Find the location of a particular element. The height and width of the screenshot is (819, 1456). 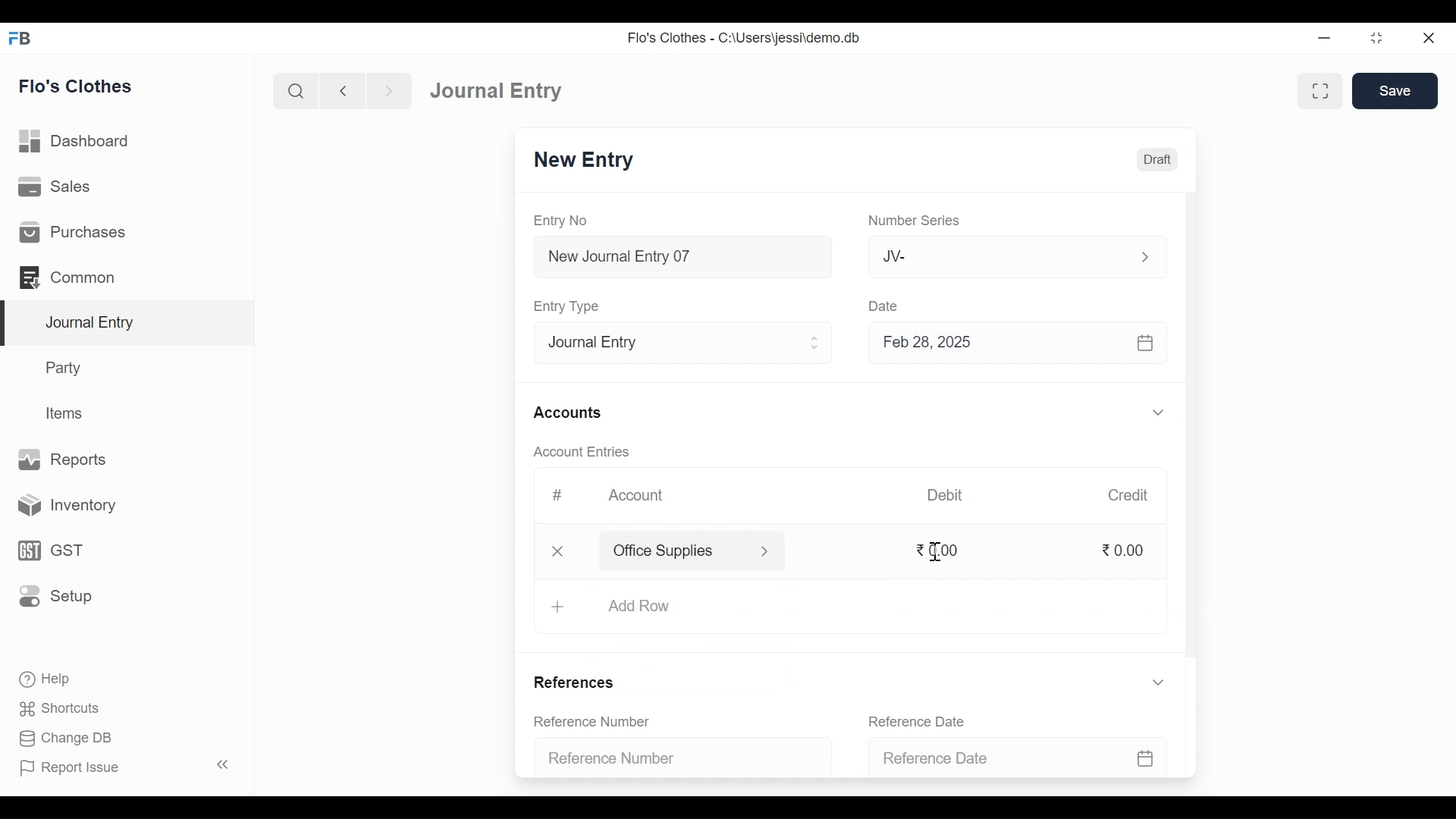

Flo's Clothes - C:\Users\jessi\demo.db is located at coordinates (746, 38).